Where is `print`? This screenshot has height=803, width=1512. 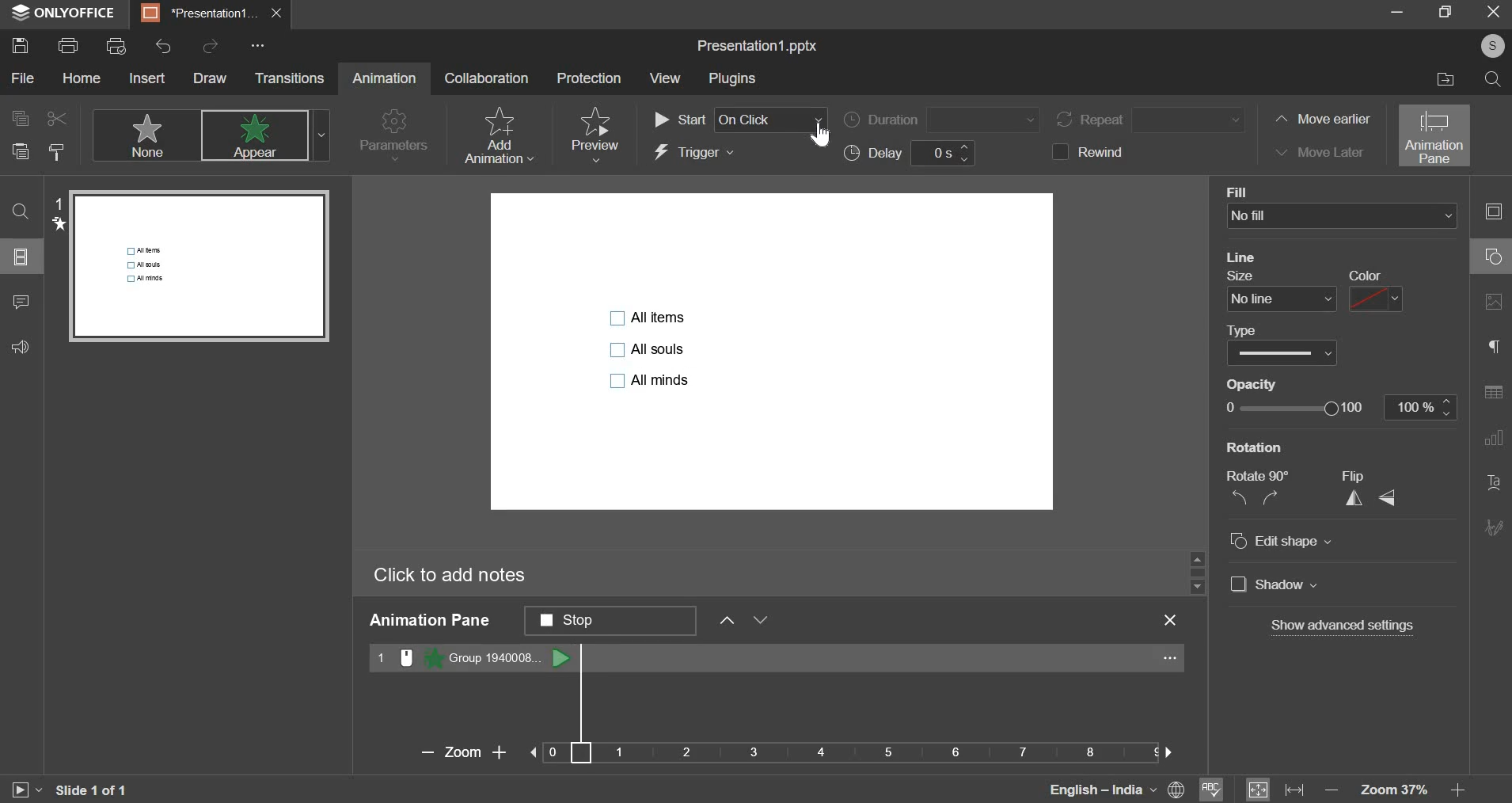
print is located at coordinates (68, 44).